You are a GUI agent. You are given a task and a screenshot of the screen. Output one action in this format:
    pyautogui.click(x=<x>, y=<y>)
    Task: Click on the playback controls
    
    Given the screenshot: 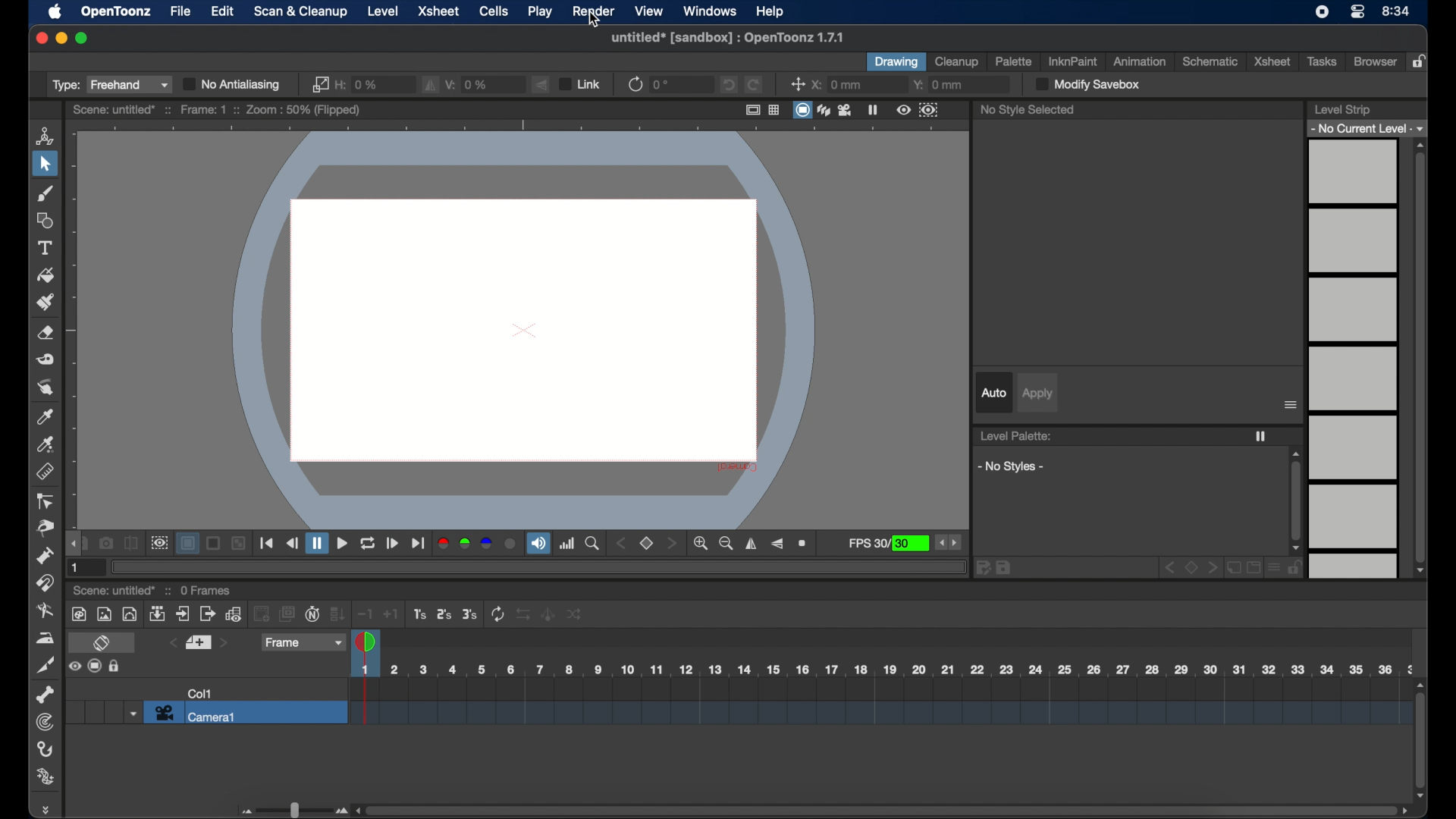 What is the action you would take?
    pyautogui.click(x=268, y=543)
    